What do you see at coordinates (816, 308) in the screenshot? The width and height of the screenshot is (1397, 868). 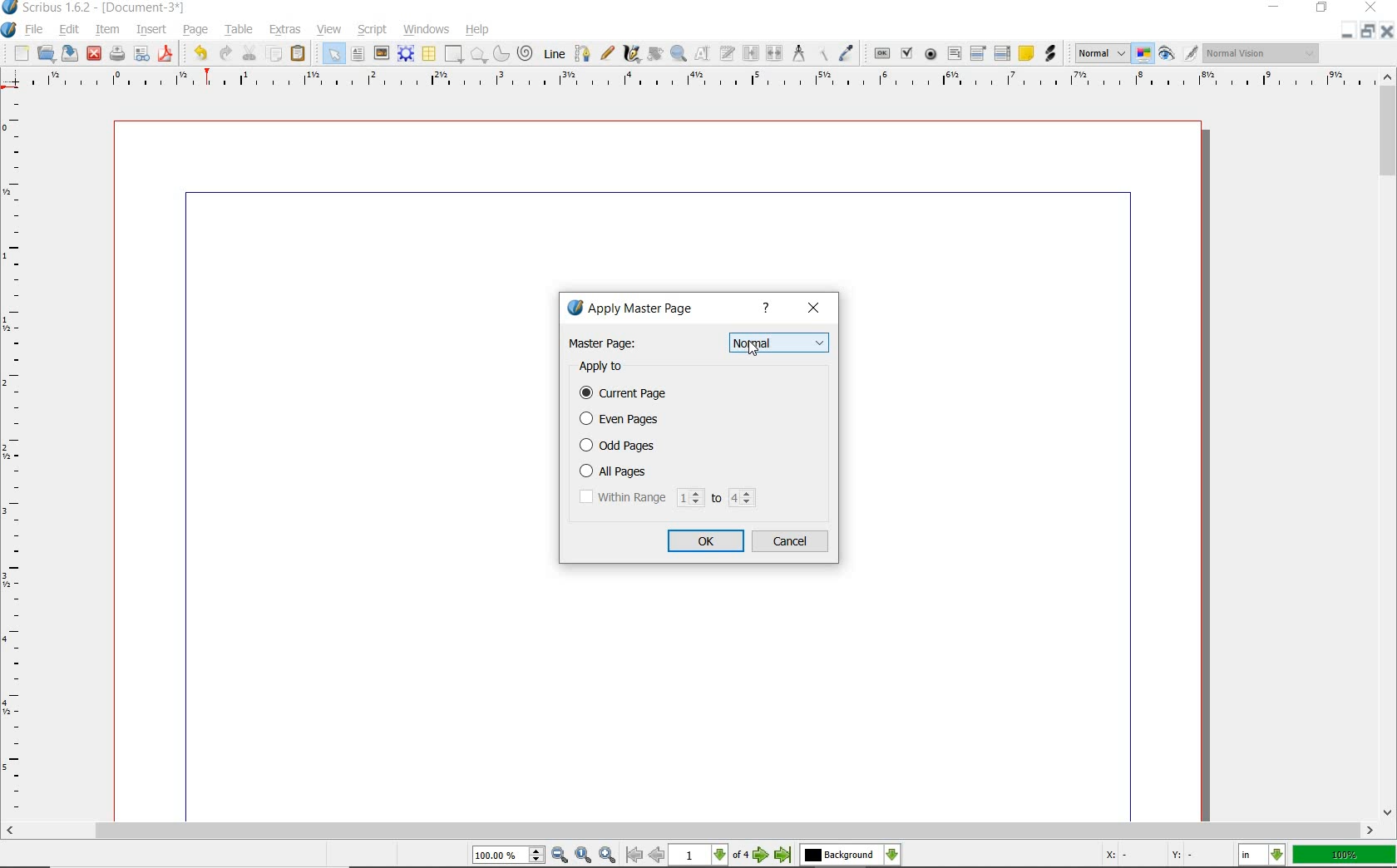 I see `close` at bounding box center [816, 308].